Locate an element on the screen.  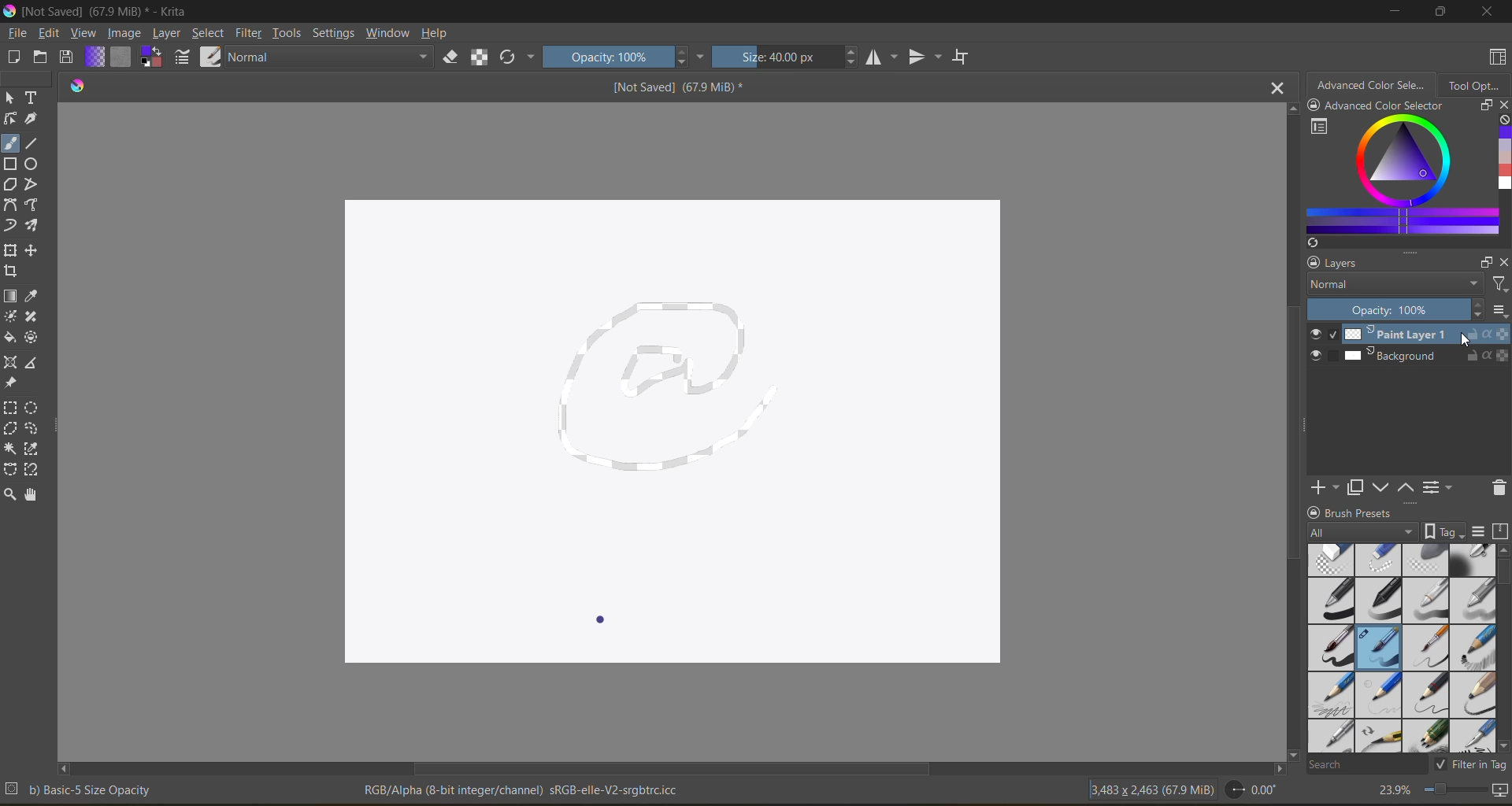
flip horizontally is located at coordinates (881, 56).